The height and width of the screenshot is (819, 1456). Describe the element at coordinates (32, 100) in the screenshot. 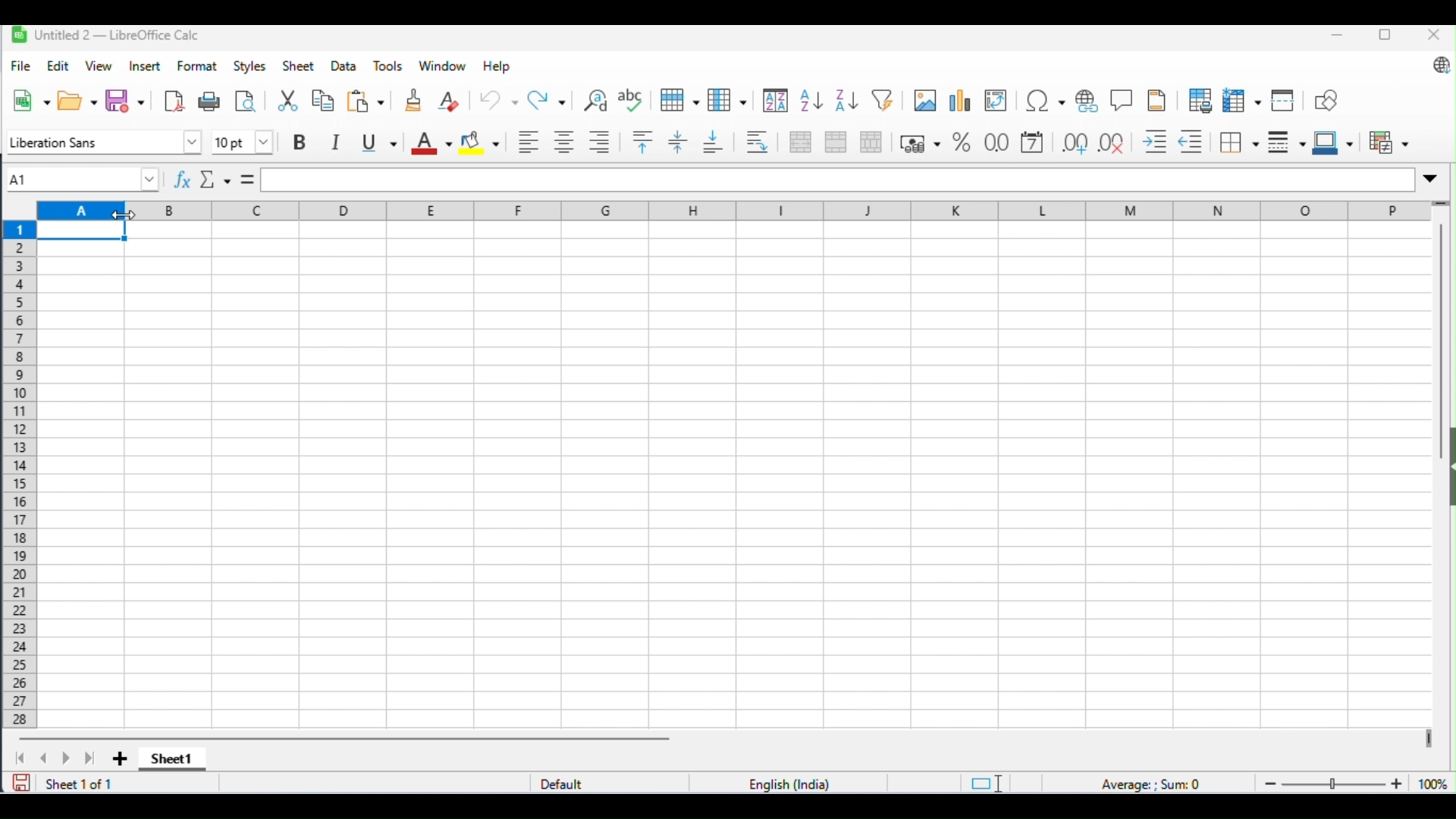

I see `new` at that location.